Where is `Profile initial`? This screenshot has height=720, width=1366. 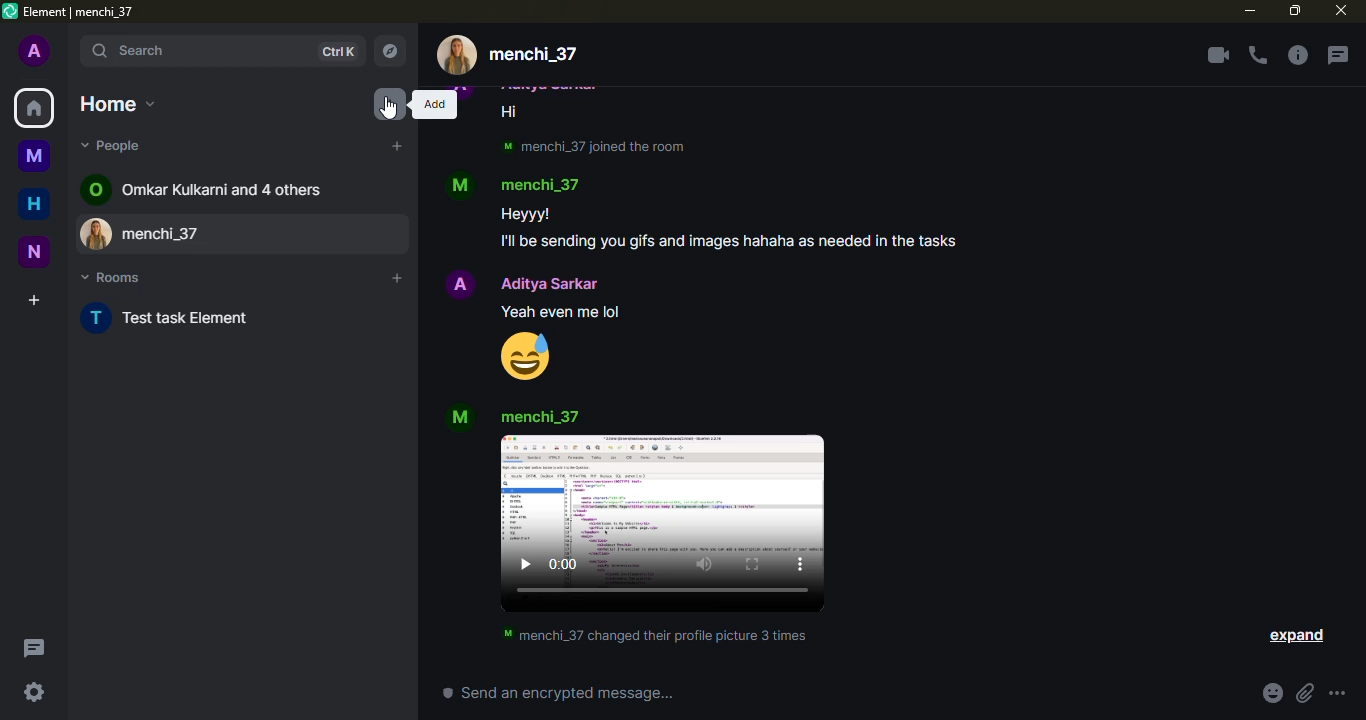 Profile initial is located at coordinates (461, 417).